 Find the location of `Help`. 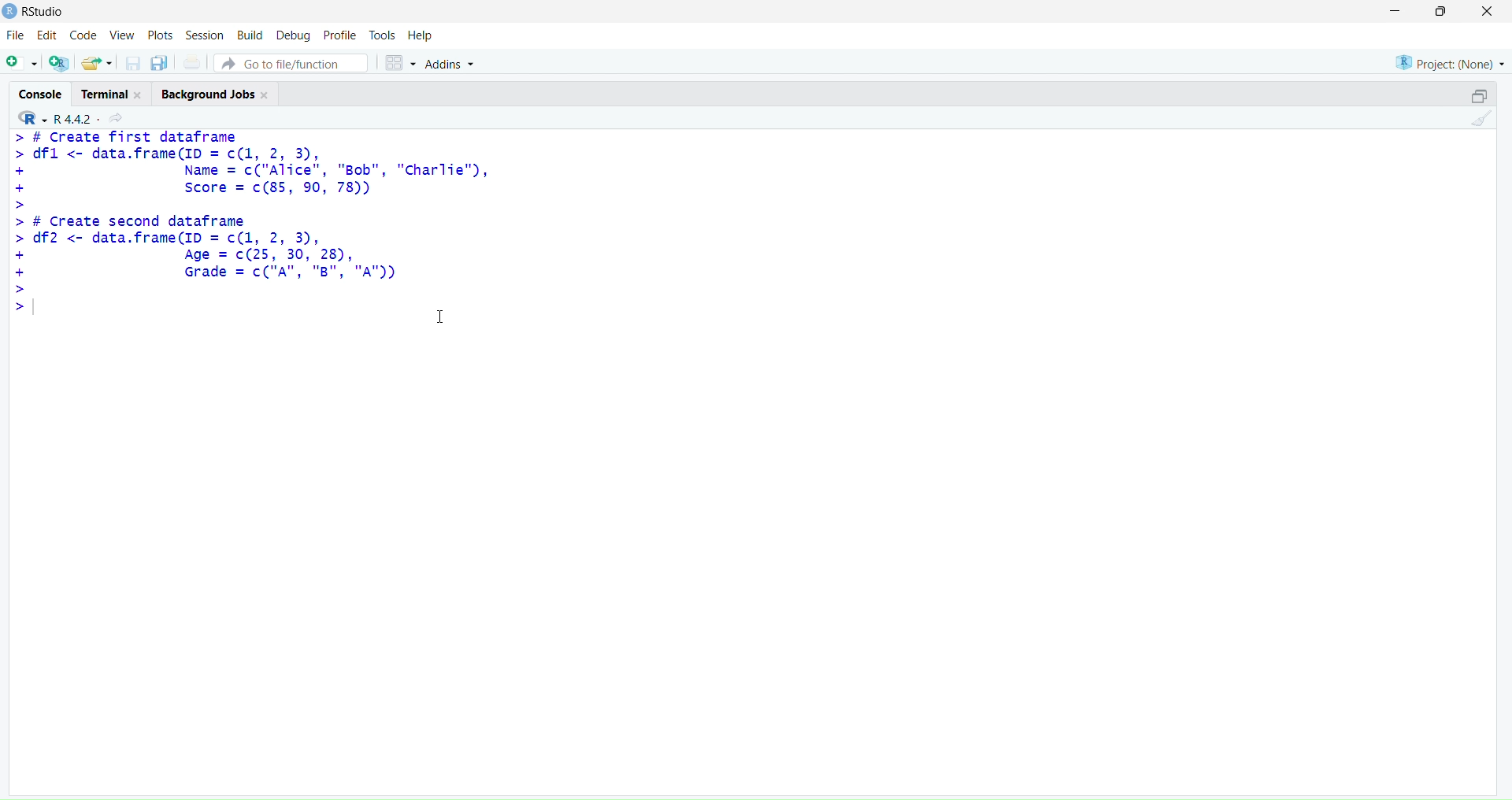

Help is located at coordinates (419, 35).